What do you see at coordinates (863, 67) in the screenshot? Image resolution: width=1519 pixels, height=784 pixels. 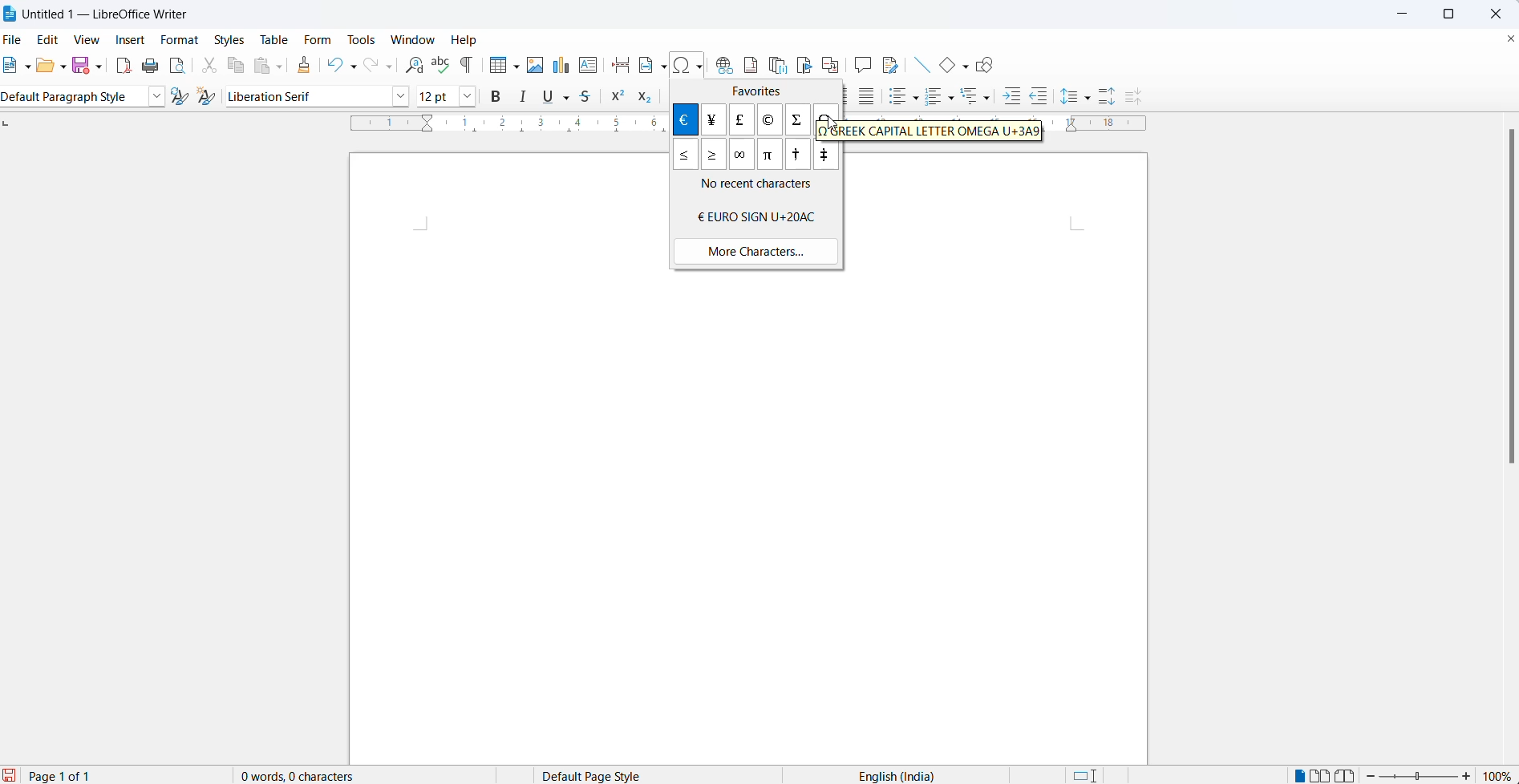 I see `insert comments` at bounding box center [863, 67].